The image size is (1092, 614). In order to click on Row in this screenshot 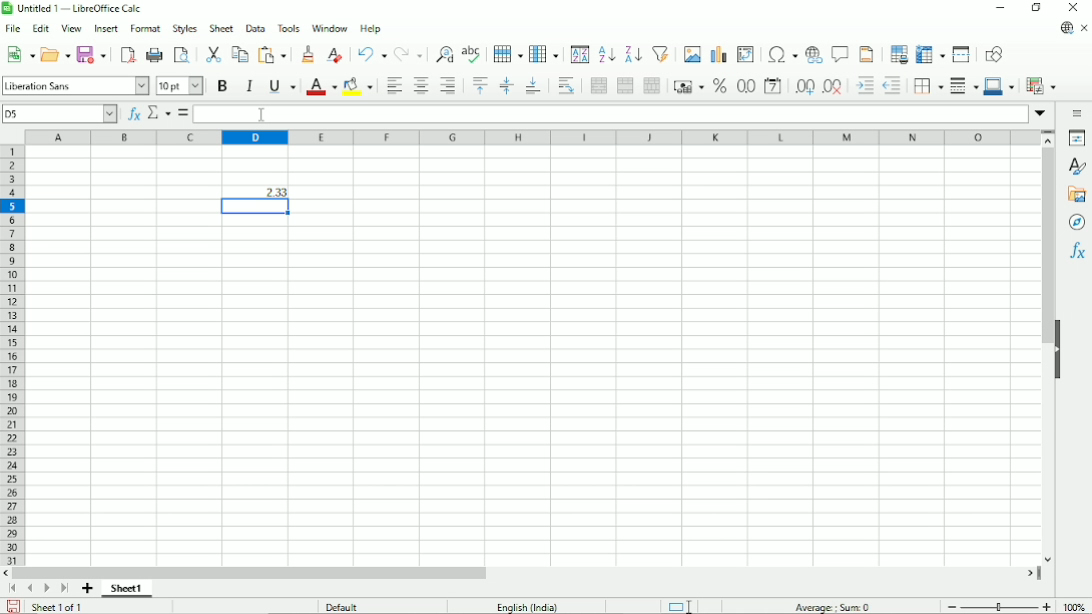, I will do `click(508, 53)`.